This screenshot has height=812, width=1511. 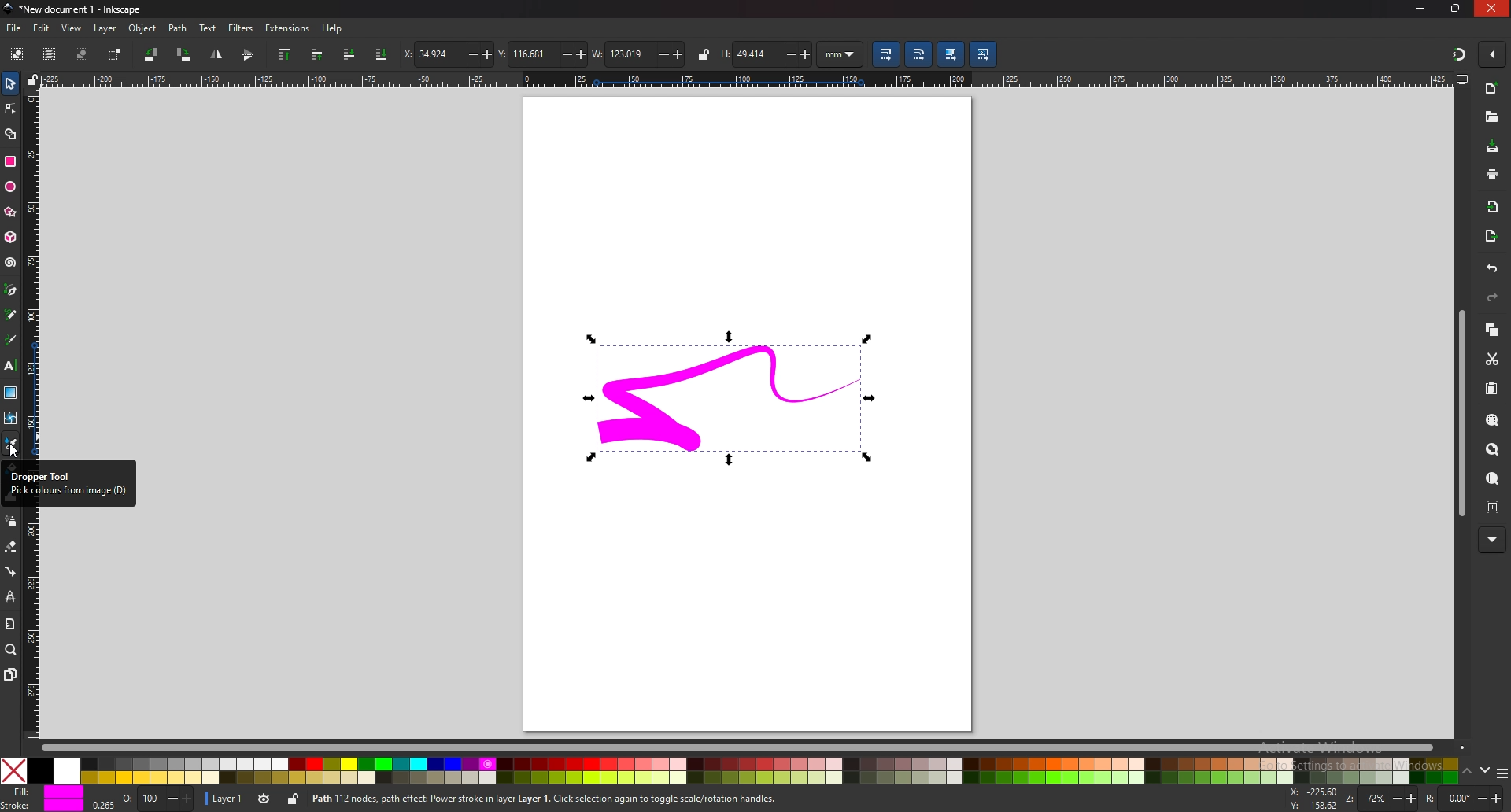 What do you see at coordinates (186, 54) in the screenshot?
I see `rotate 90 degree cw` at bounding box center [186, 54].